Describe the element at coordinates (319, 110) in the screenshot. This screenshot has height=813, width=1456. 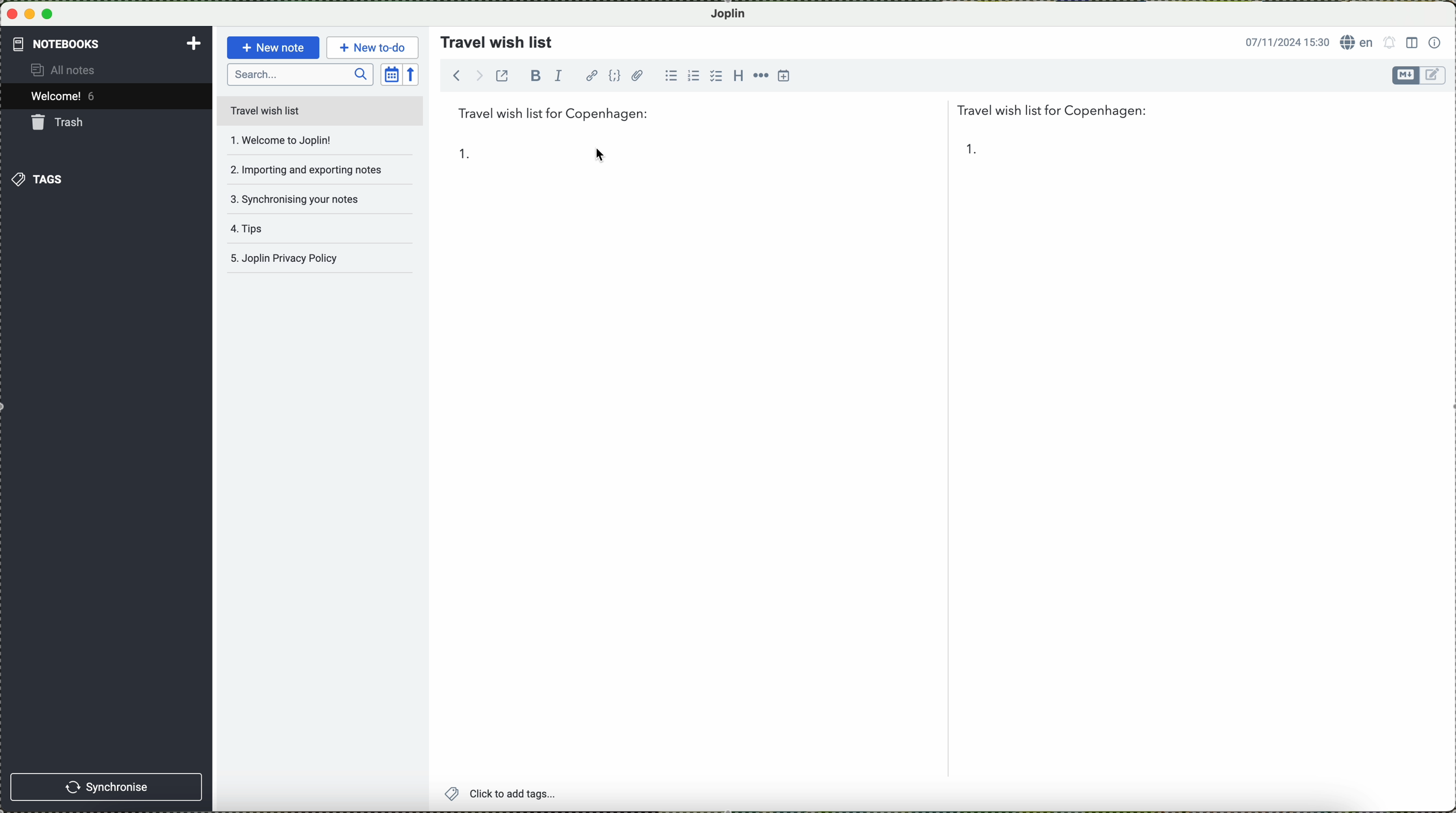
I see `travel wish list file` at that location.